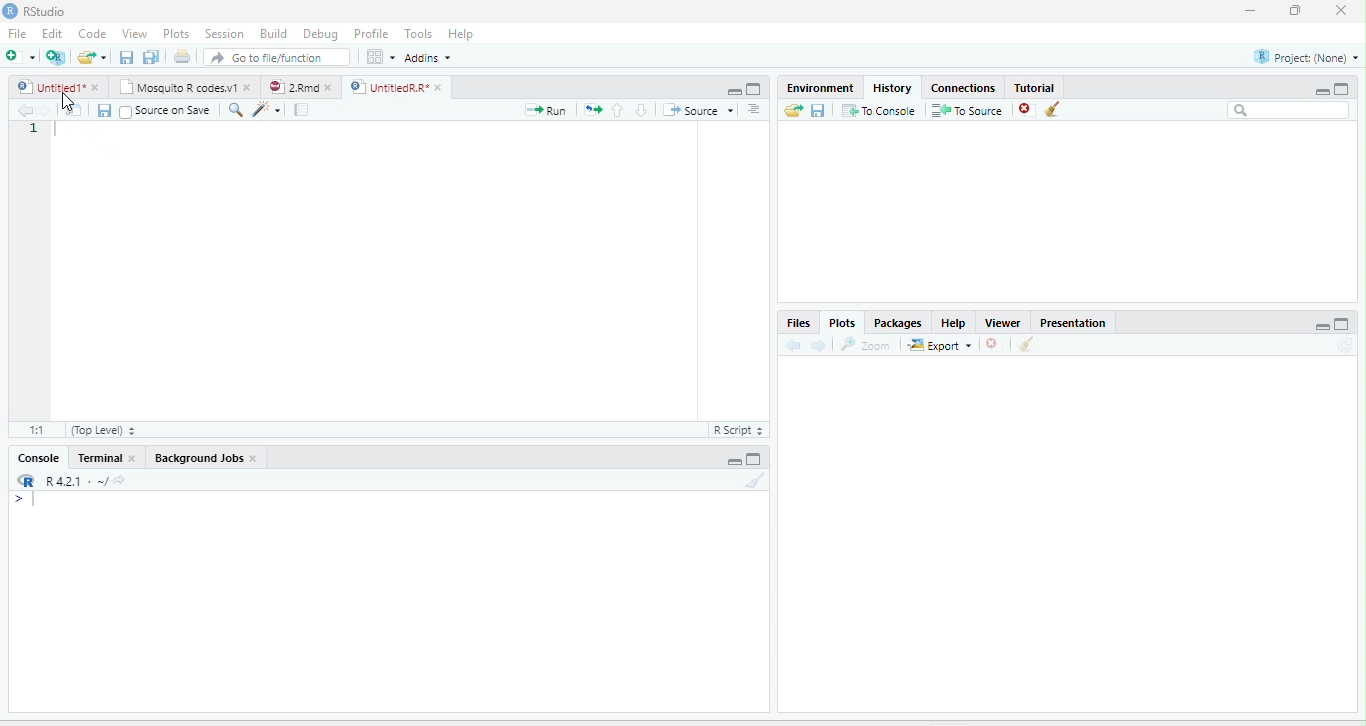 The height and width of the screenshot is (726, 1366). What do you see at coordinates (867, 344) in the screenshot?
I see `Zoom` at bounding box center [867, 344].